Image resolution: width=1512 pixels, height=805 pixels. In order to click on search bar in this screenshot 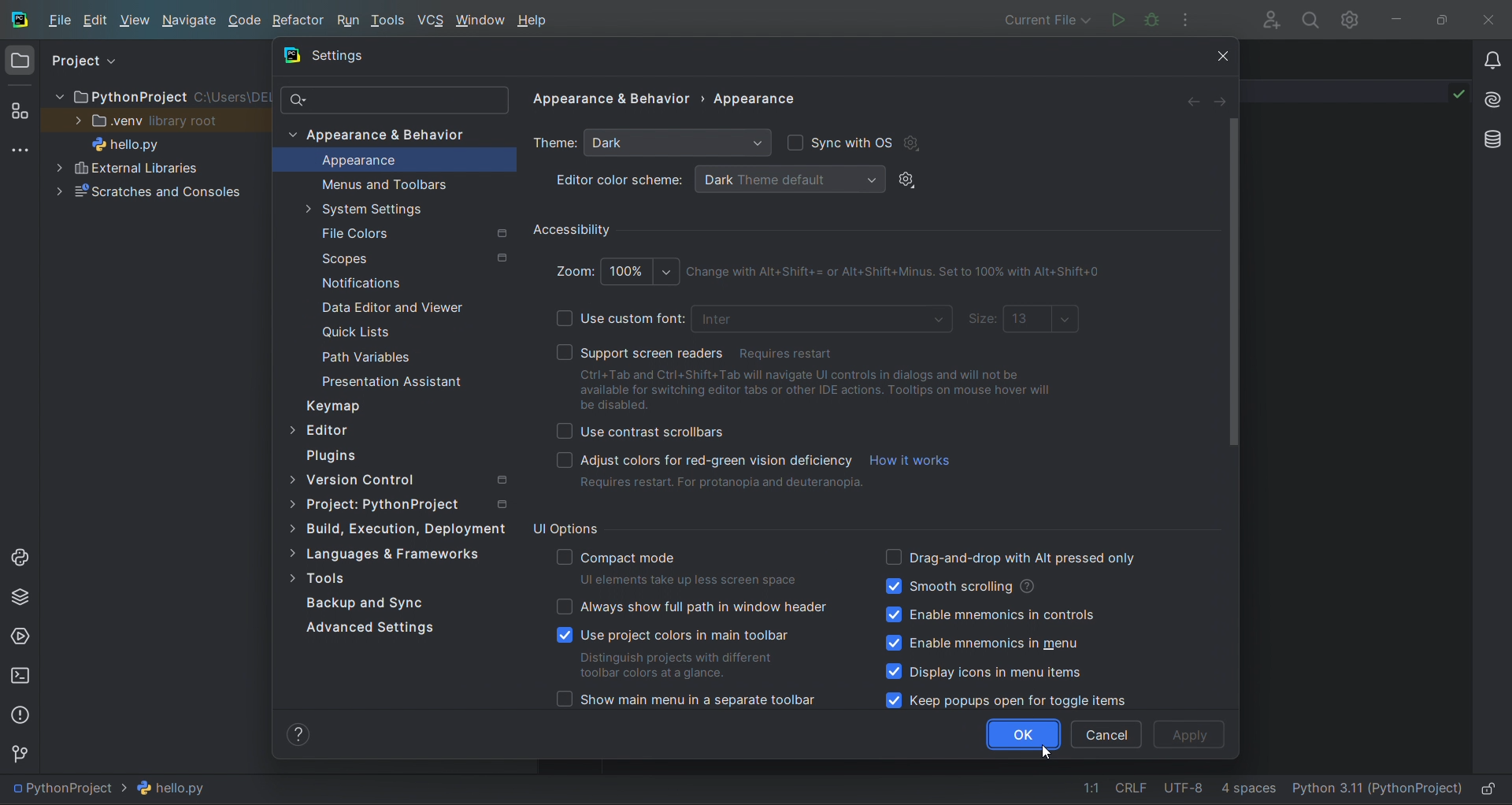, I will do `click(395, 102)`.